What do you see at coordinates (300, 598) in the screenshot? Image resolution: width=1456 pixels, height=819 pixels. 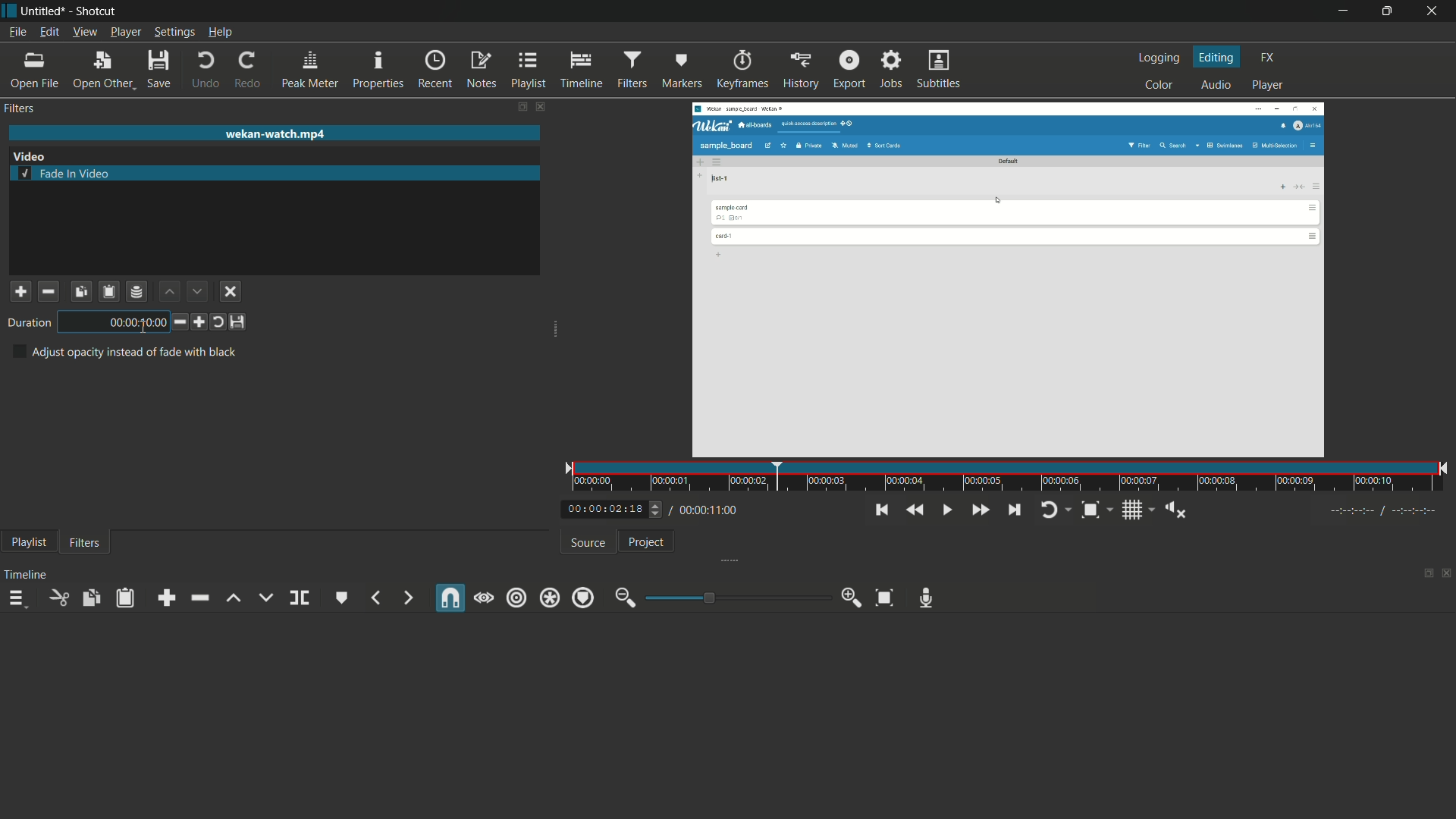 I see `split at playhead` at bounding box center [300, 598].